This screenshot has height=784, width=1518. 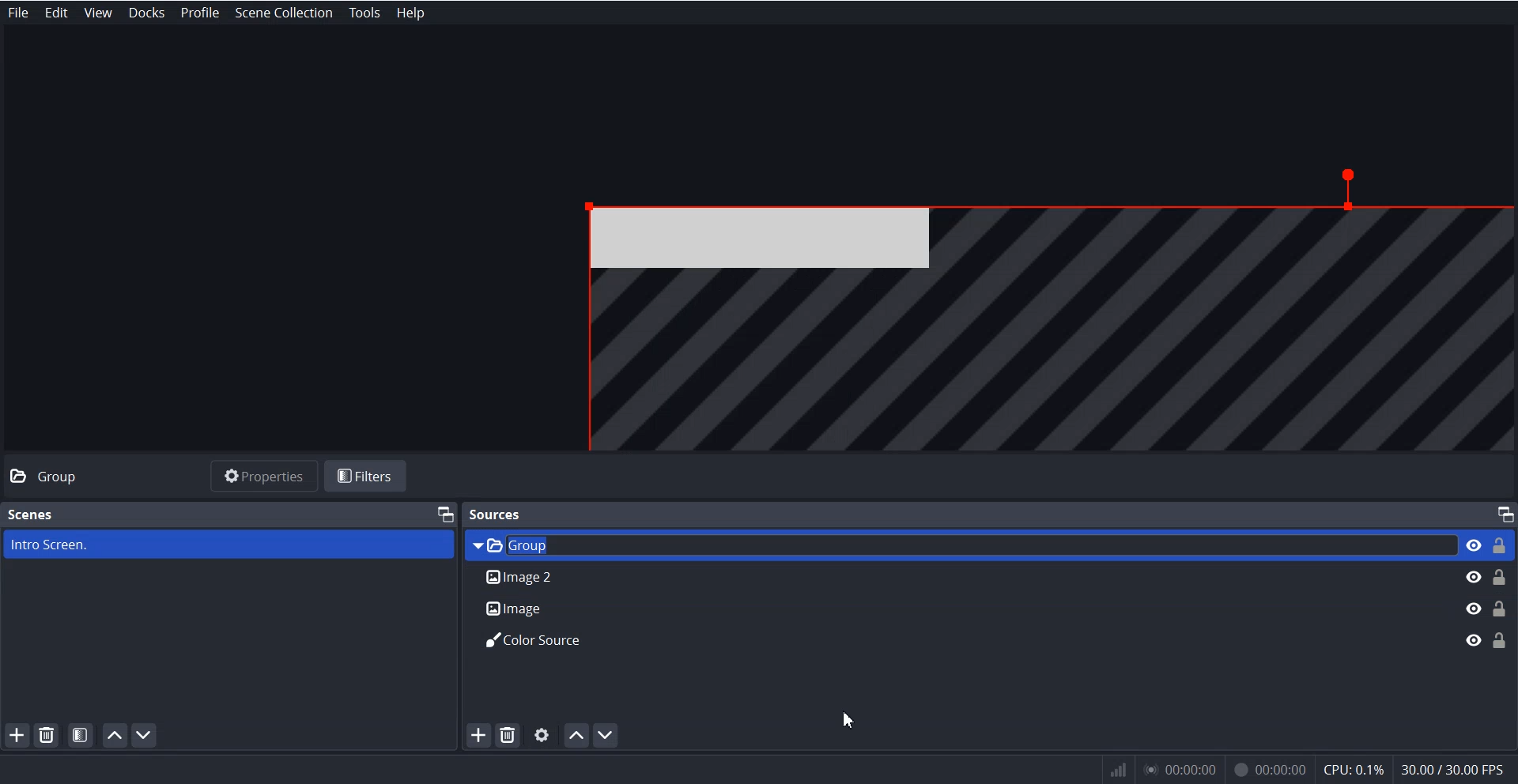 I want to click on Remove Selected Source, so click(x=508, y=736).